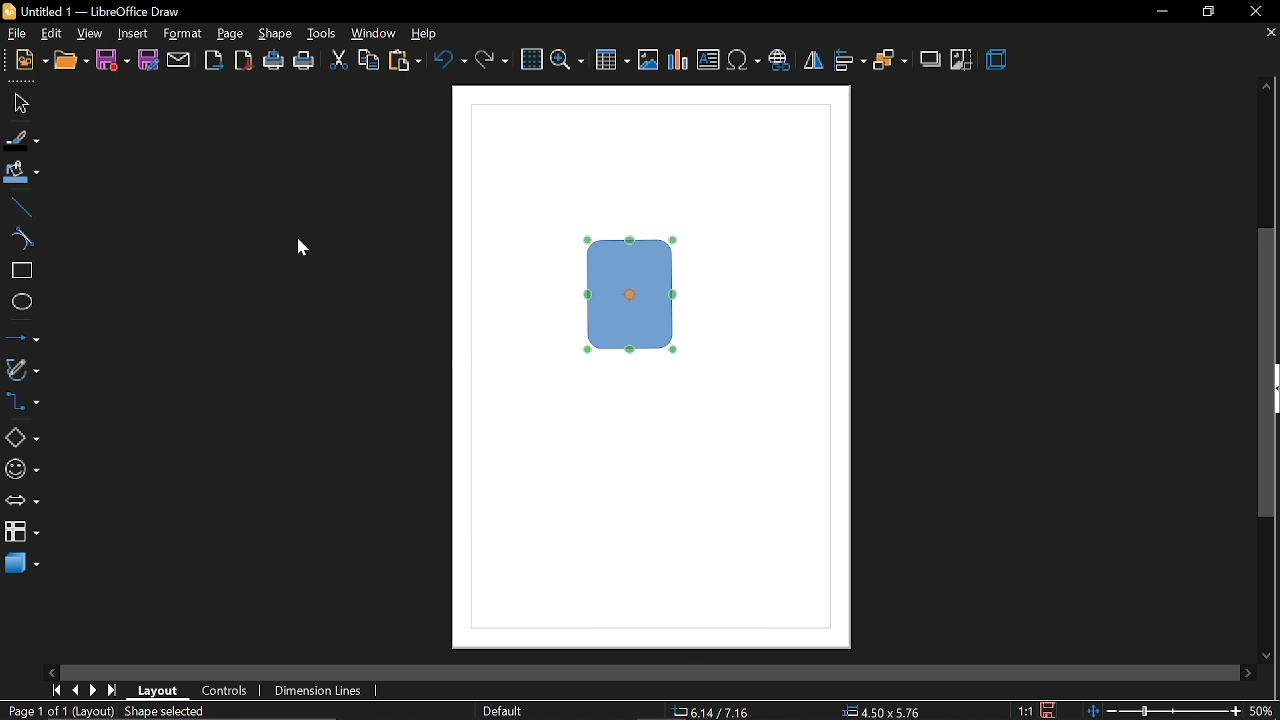 Image resolution: width=1280 pixels, height=720 pixels. Describe the element at coordinates (22, 532) in the screenshot. I see `flowchart` at that location.